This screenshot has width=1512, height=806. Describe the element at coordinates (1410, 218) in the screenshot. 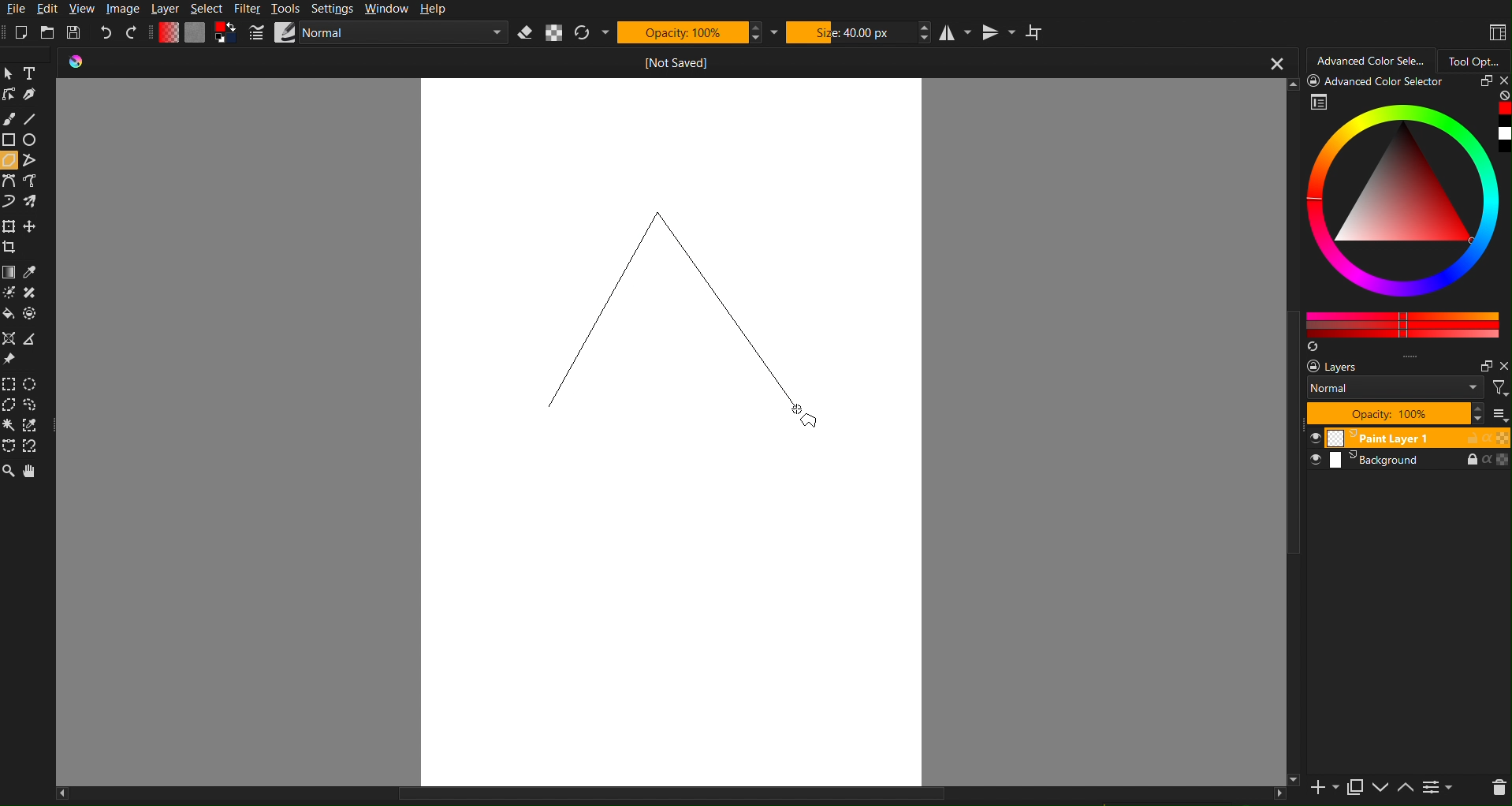

I see `Advanced Color Selector` at that location.